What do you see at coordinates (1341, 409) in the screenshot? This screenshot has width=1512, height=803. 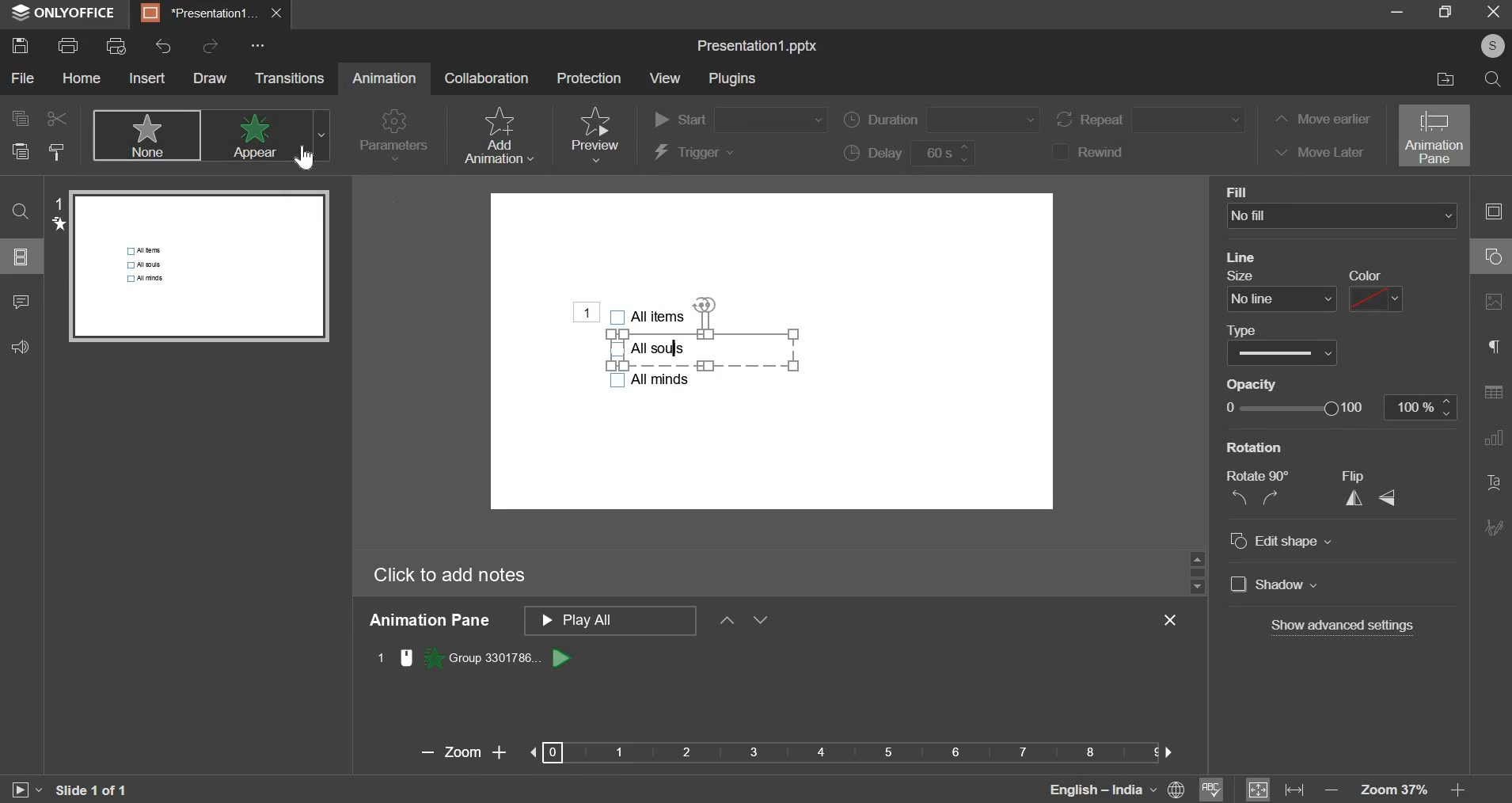 I see `opacity slider` at bounding box center [1341, 409].